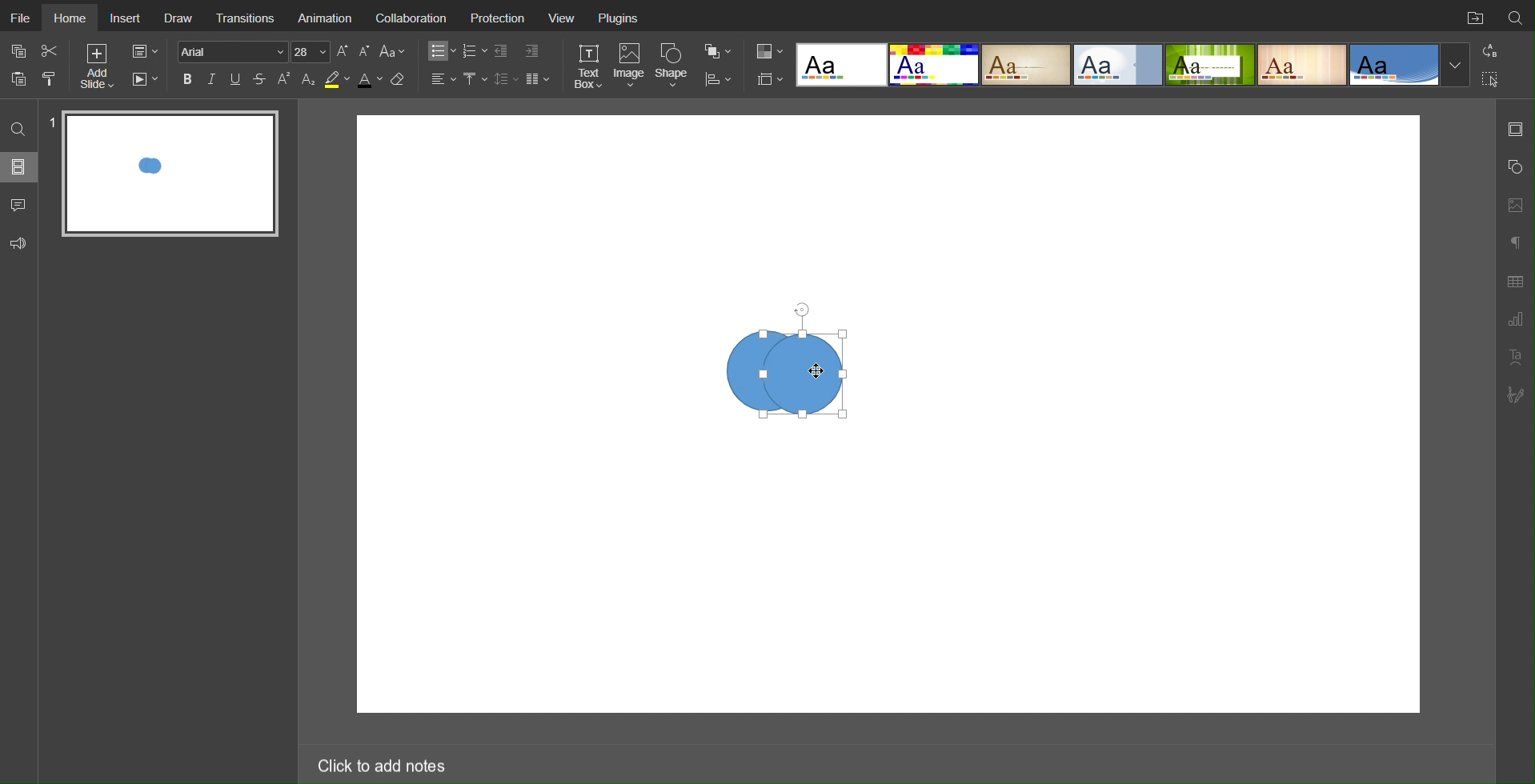 This screenshot has height=784, width=1535. I want to click on Alignment, so click(442, 78).